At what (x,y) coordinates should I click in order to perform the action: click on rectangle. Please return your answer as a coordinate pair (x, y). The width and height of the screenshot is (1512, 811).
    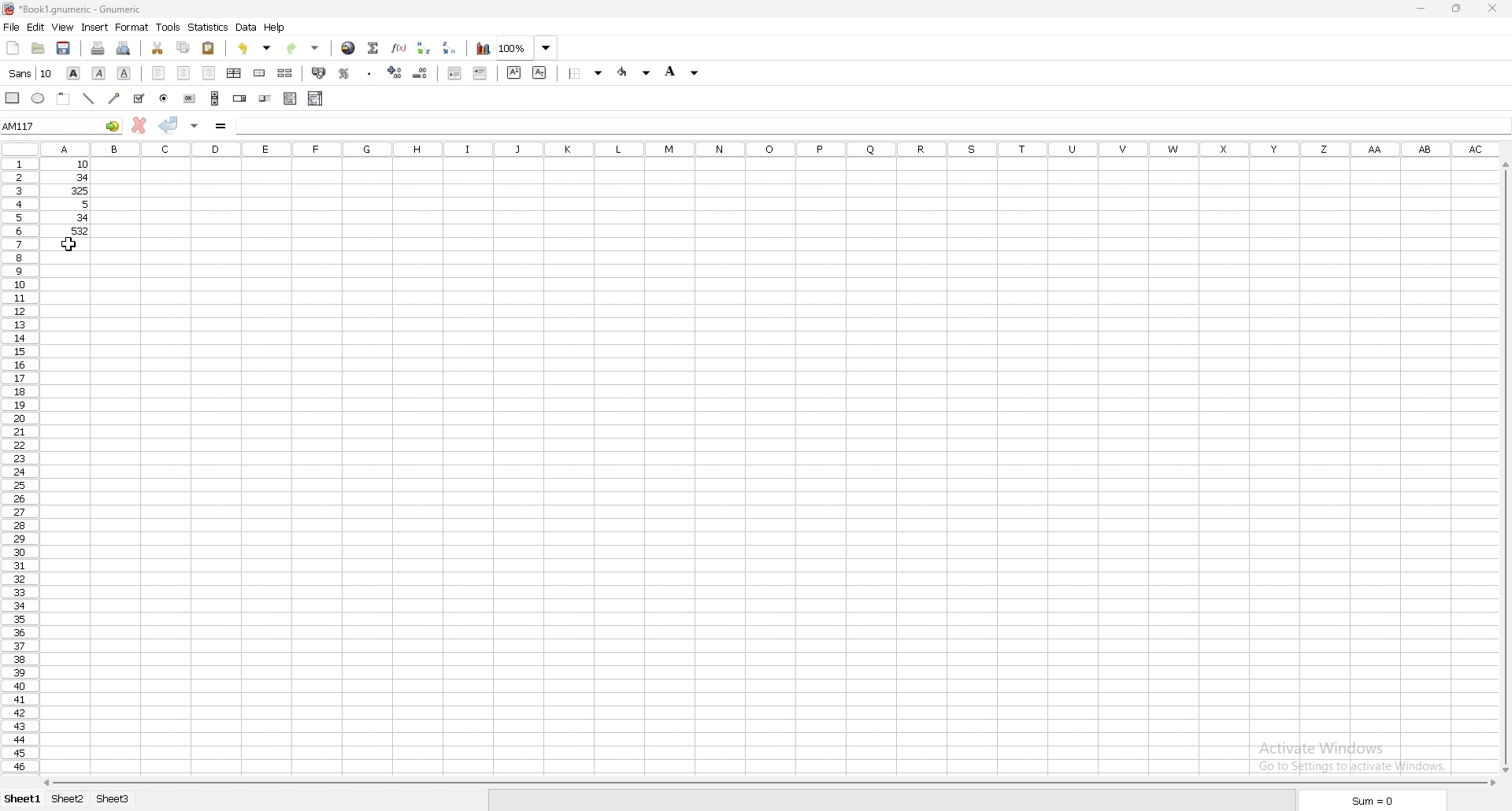
    Looking at the image, I should click on (13, 97).